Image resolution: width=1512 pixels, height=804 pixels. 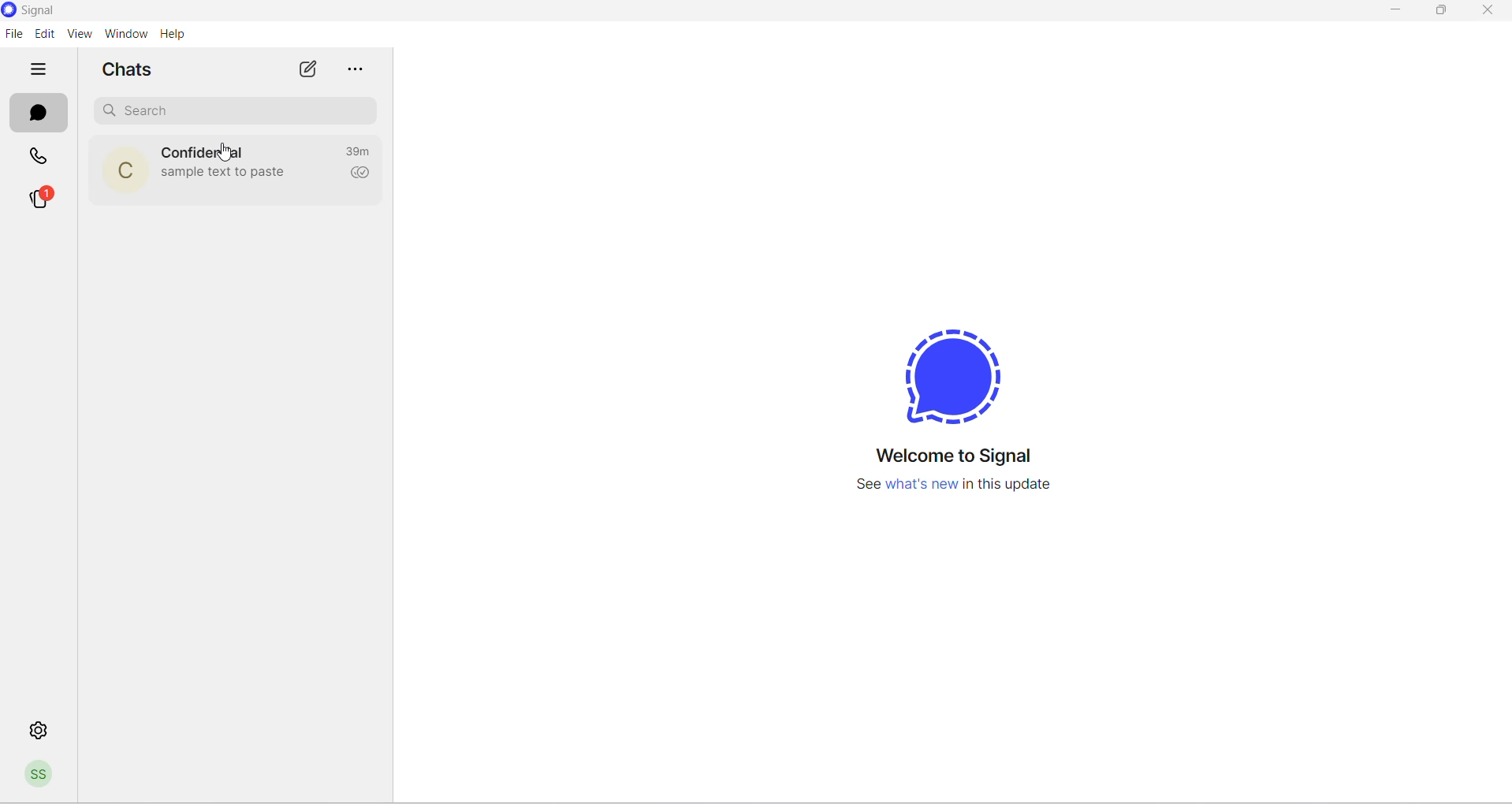 I want to click on stories, so click(x=42, y=198).